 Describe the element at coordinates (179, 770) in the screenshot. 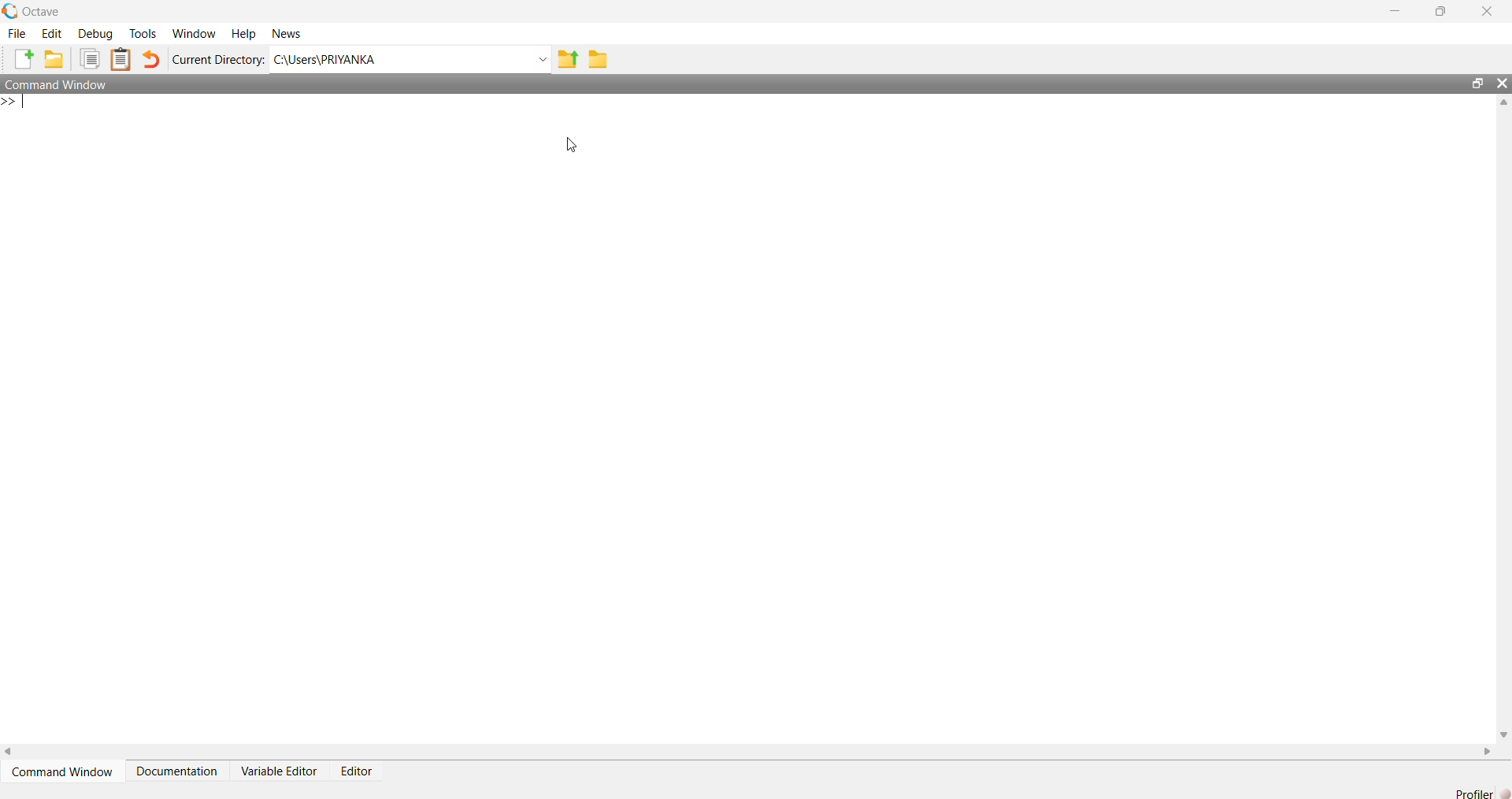

I see `Documentation` at that location.